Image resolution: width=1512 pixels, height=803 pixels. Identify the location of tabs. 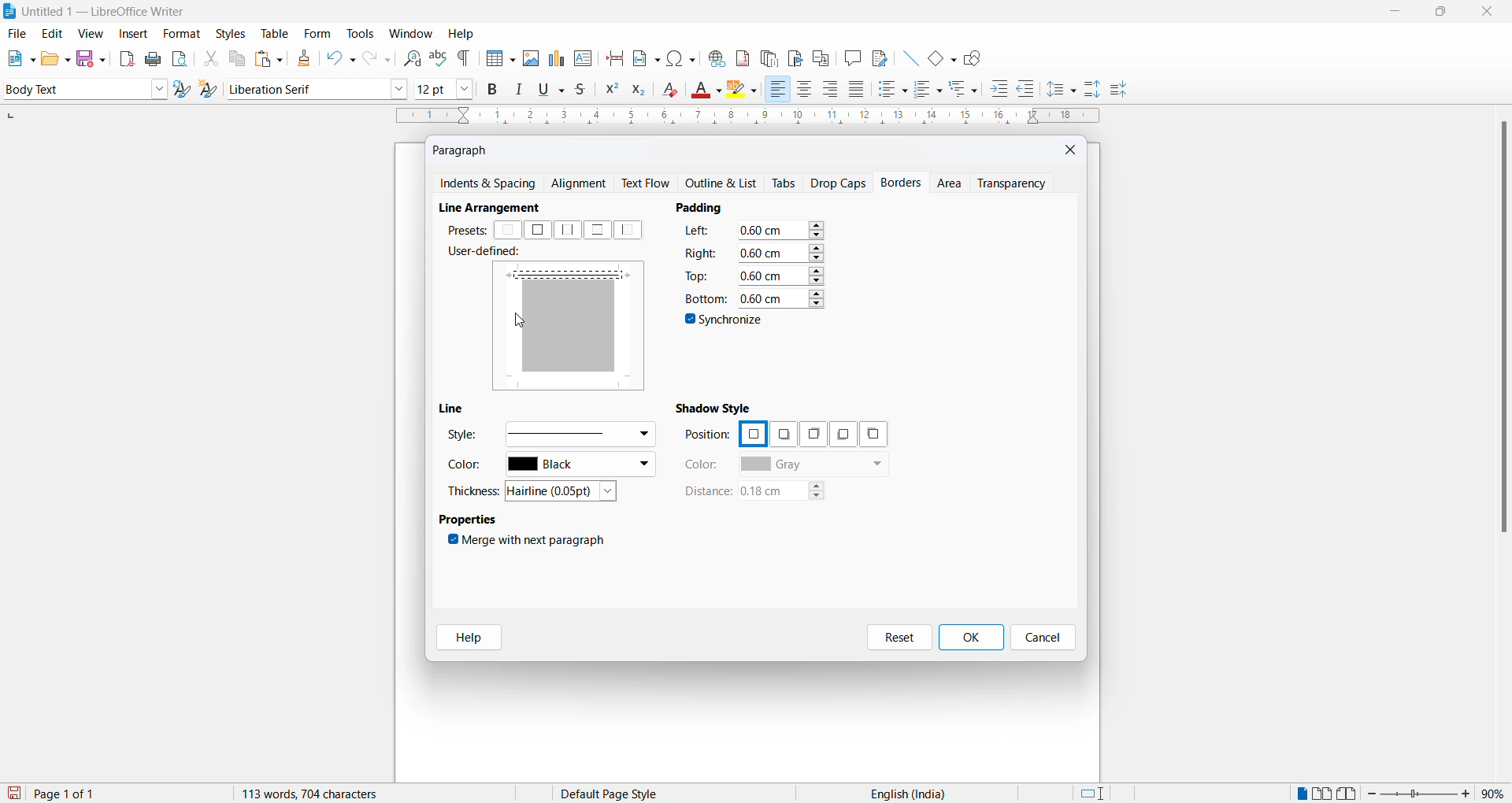
(785, 183).